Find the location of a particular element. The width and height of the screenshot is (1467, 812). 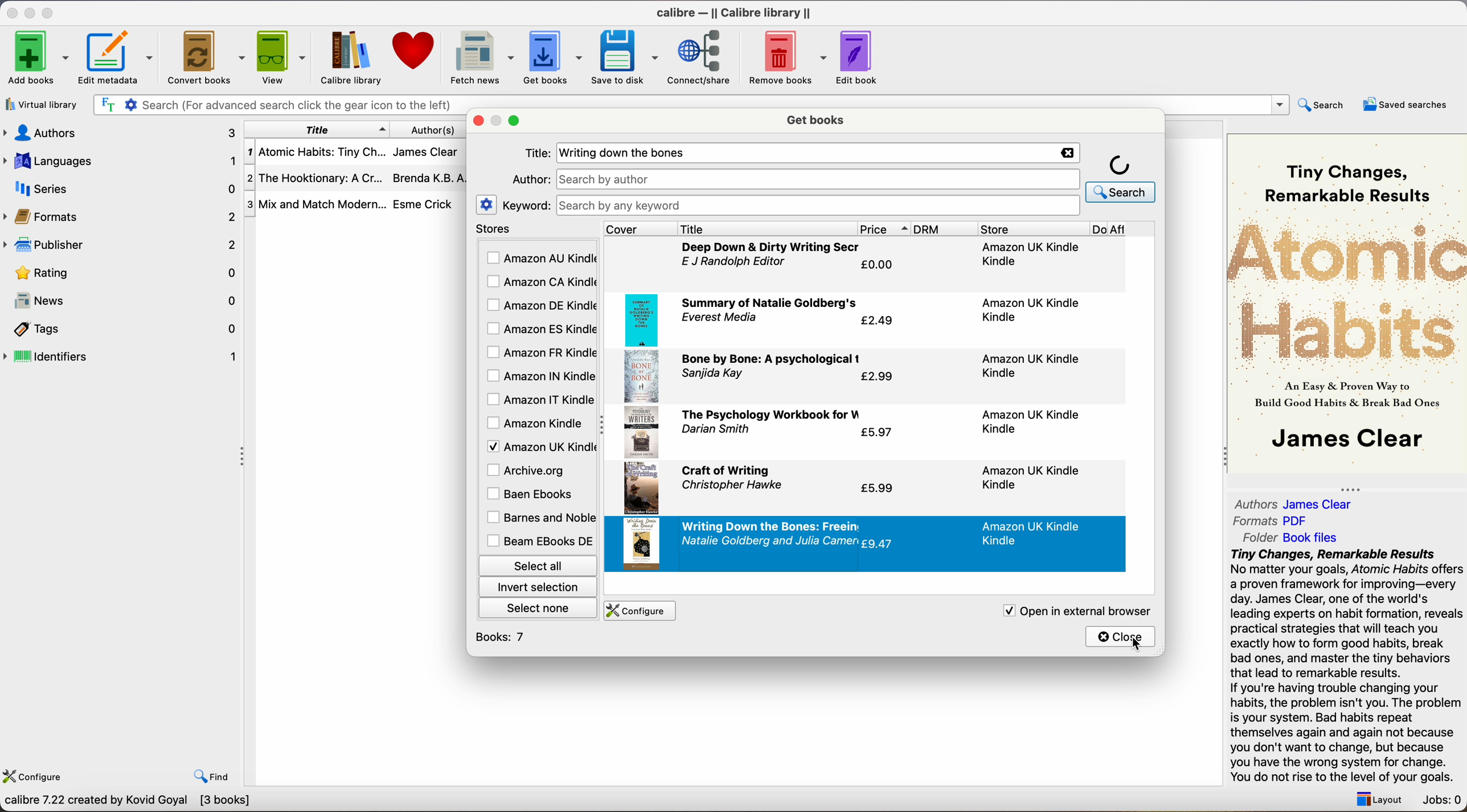

donate is located at coordinates (415, 51).